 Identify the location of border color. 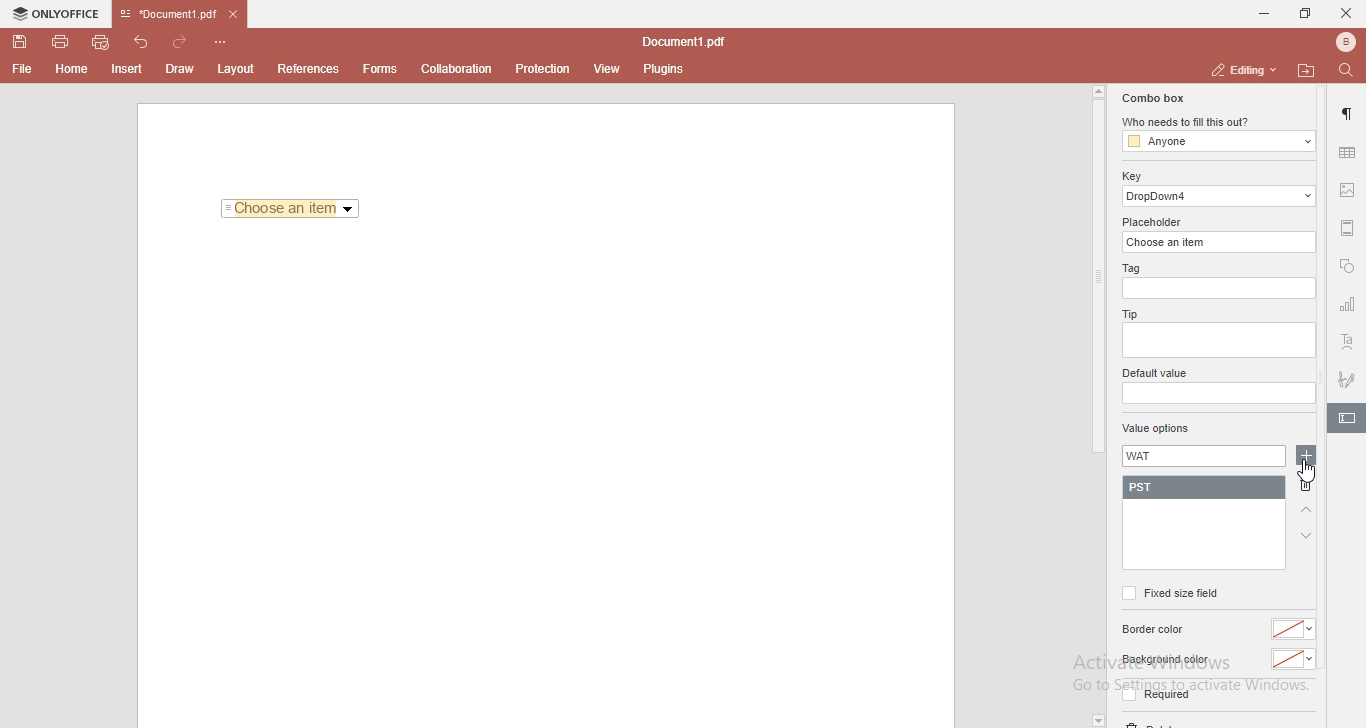
(1156, 630).